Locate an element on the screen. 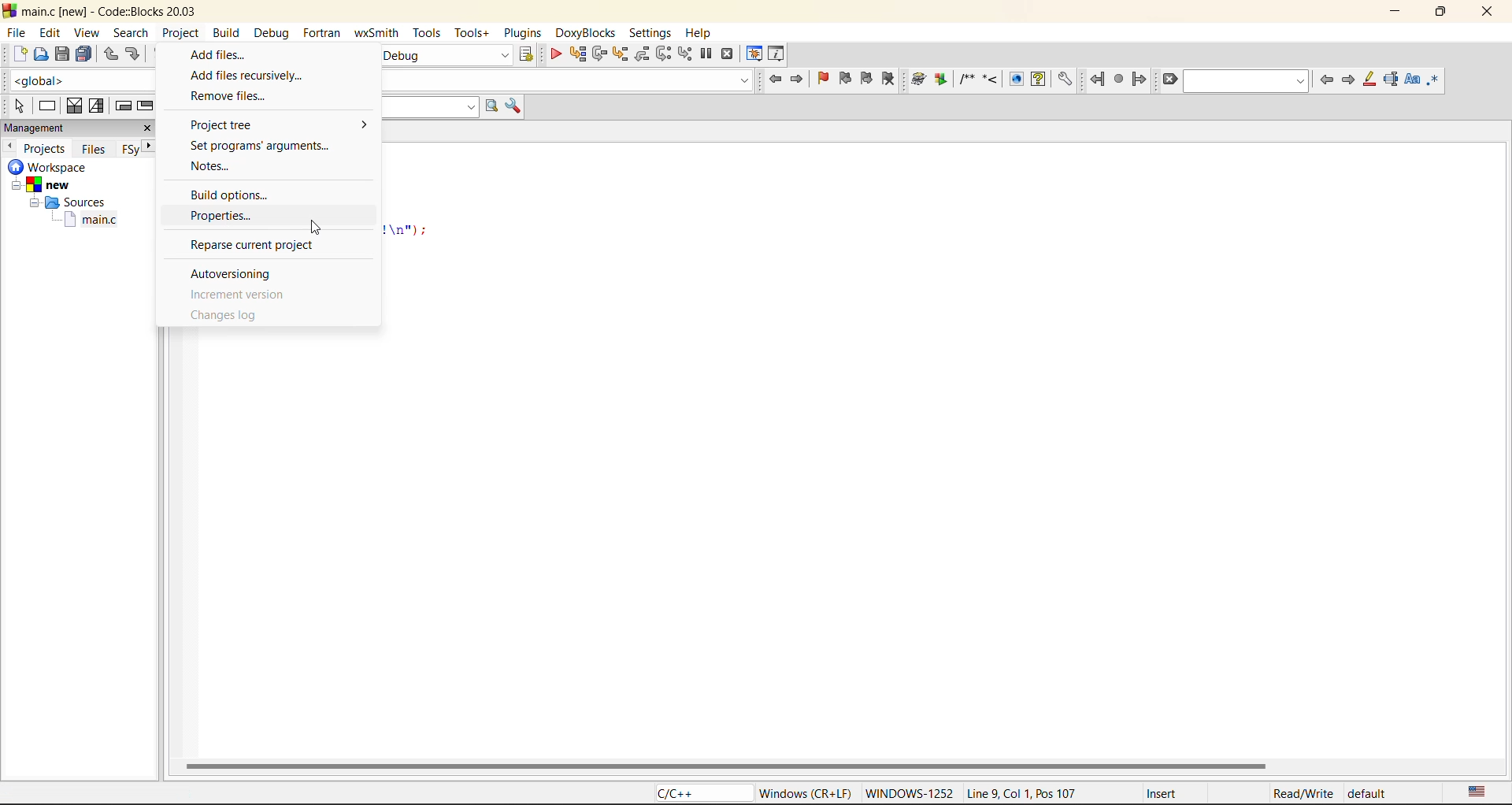 The width and height of the screenshot is (1512, 805). jump back is located at coordinates (1097, 80).